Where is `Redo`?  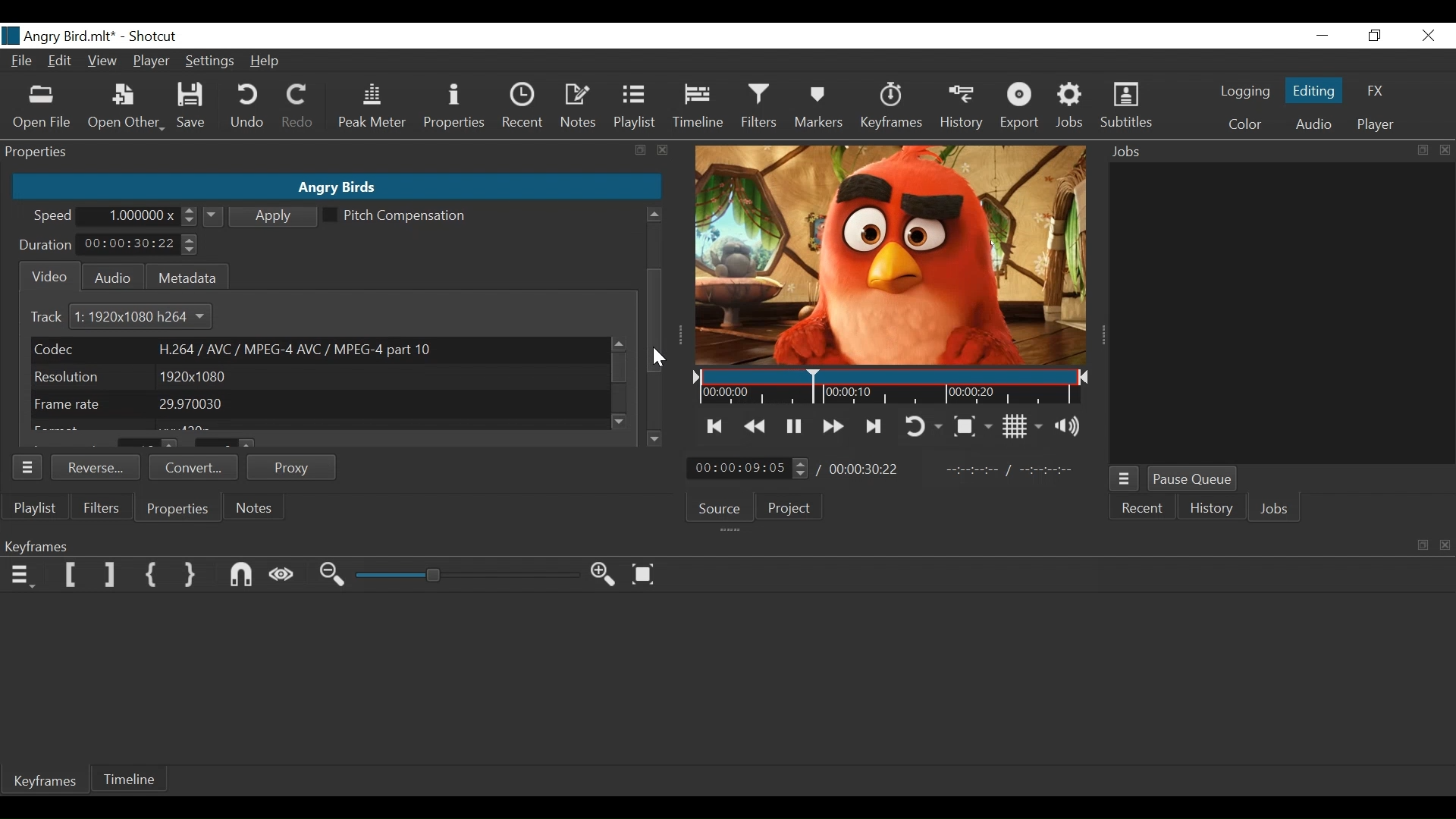
Redo is located at coordinates (298, 109).